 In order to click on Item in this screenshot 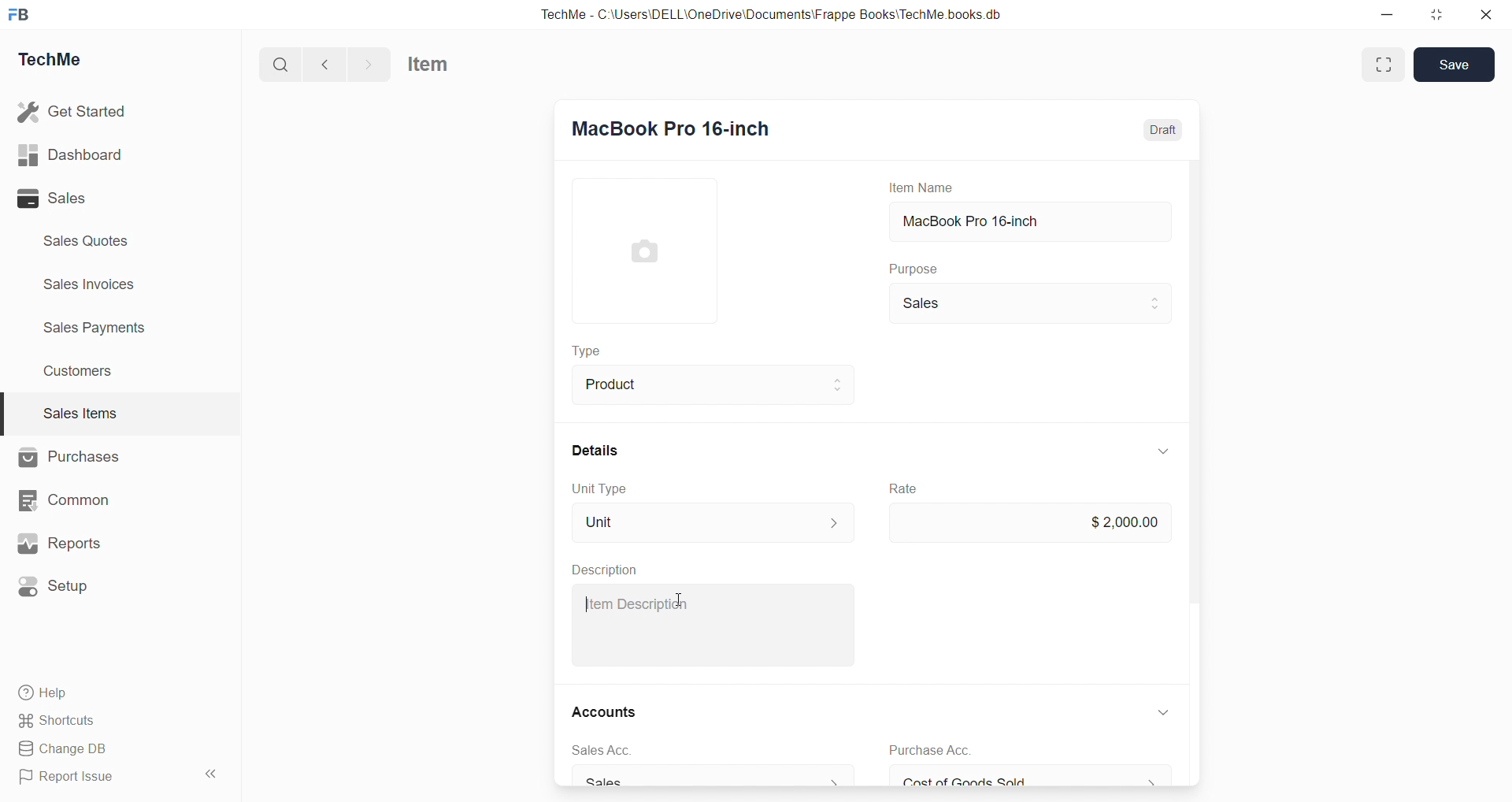, I will do `click(428, 64)`.